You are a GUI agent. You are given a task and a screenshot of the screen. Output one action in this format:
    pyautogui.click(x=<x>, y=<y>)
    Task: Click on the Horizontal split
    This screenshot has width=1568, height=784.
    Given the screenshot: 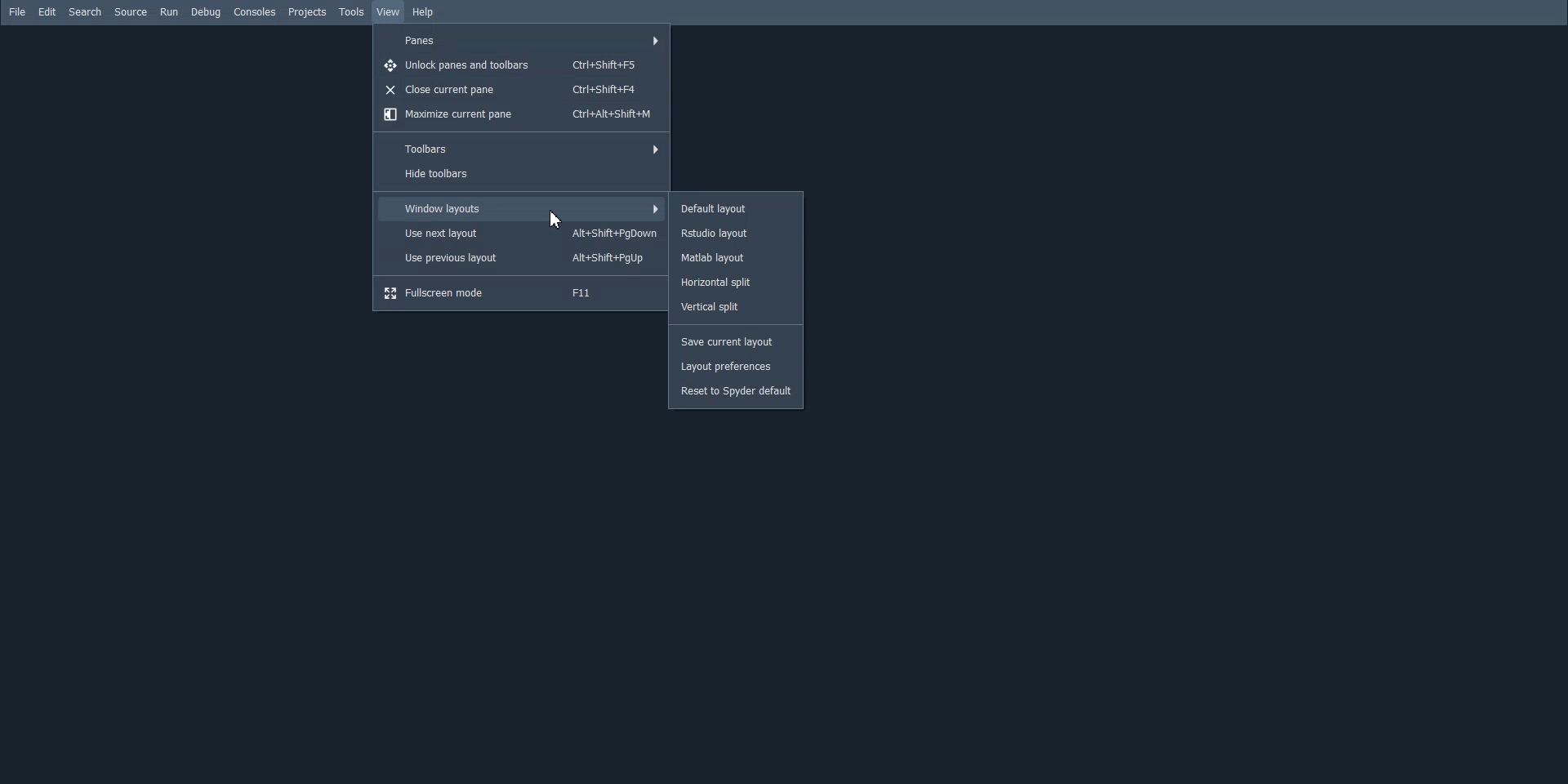 What is the action you would take?
    pyautogui.click(x=735, y=283)
    